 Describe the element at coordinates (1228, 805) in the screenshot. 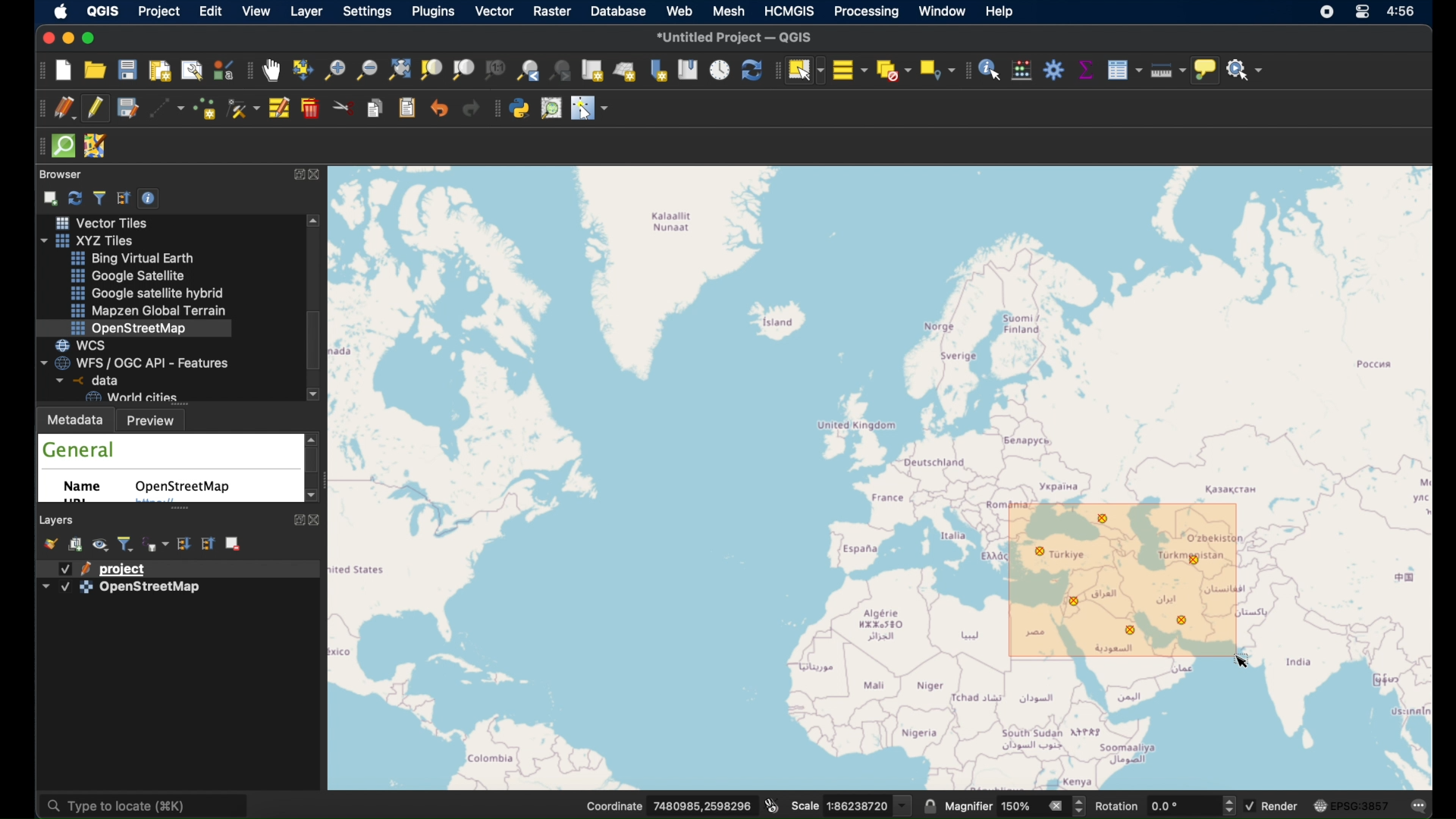

I see `Increase or decrease rotation` at that location.